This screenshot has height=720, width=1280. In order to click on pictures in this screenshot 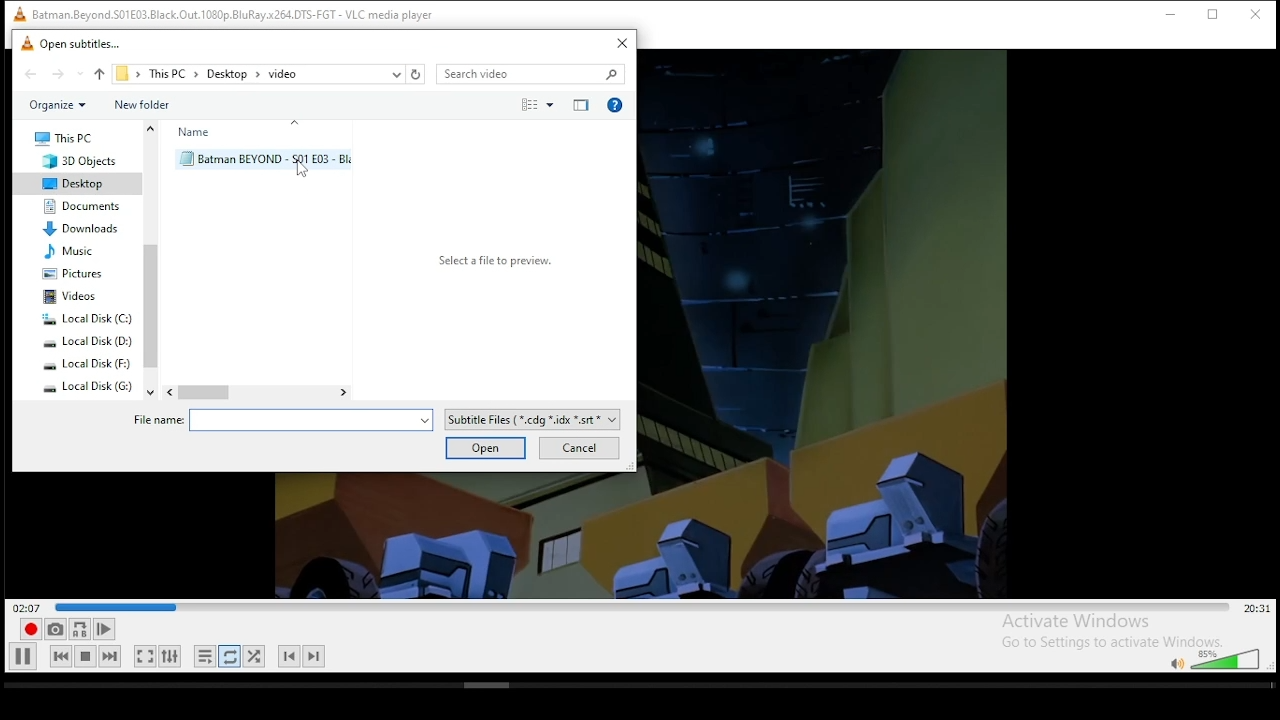, I will do `click(75, 274)`.